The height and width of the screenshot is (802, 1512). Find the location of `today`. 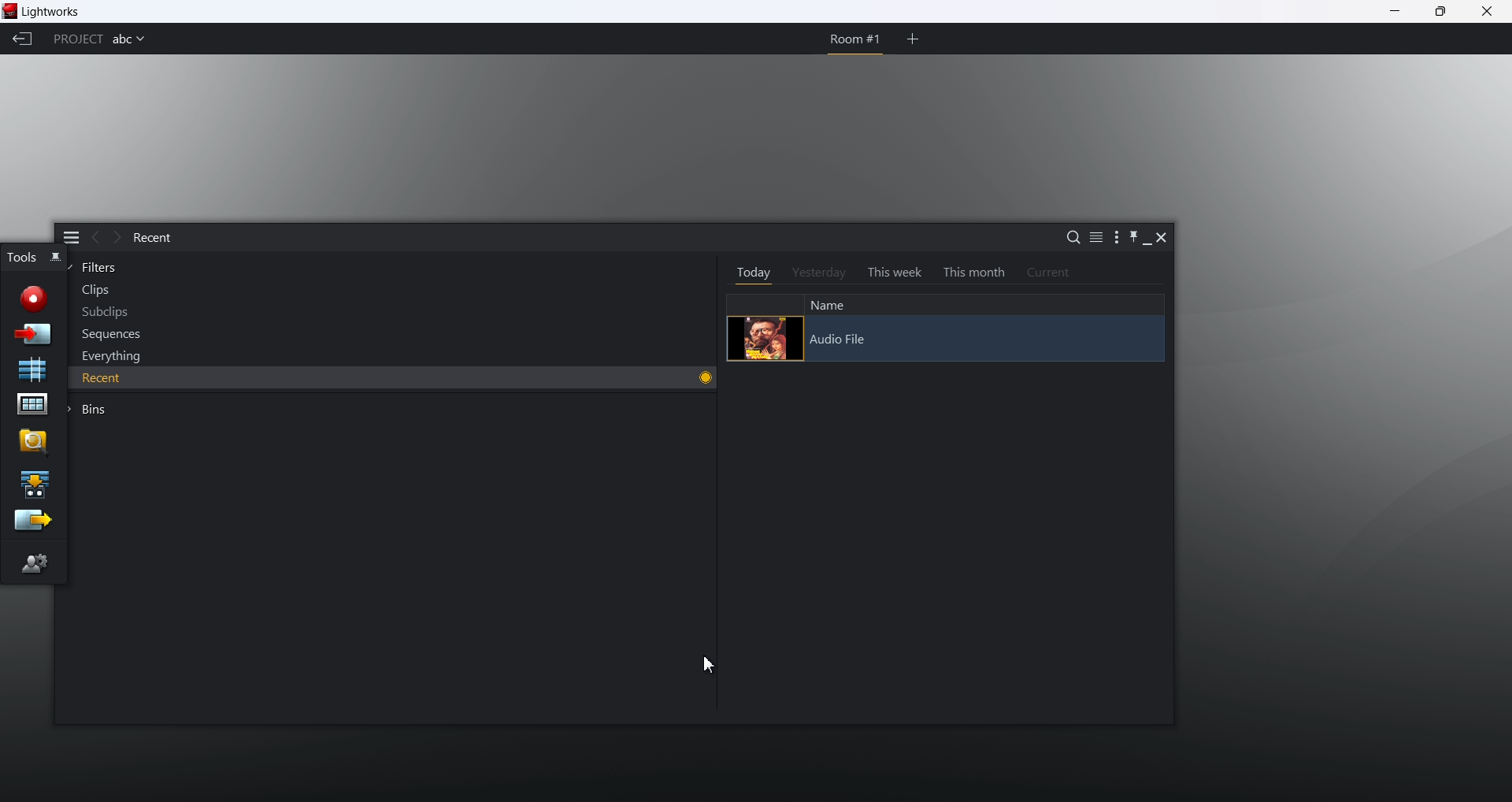

today is located at coordinates (747, 273).